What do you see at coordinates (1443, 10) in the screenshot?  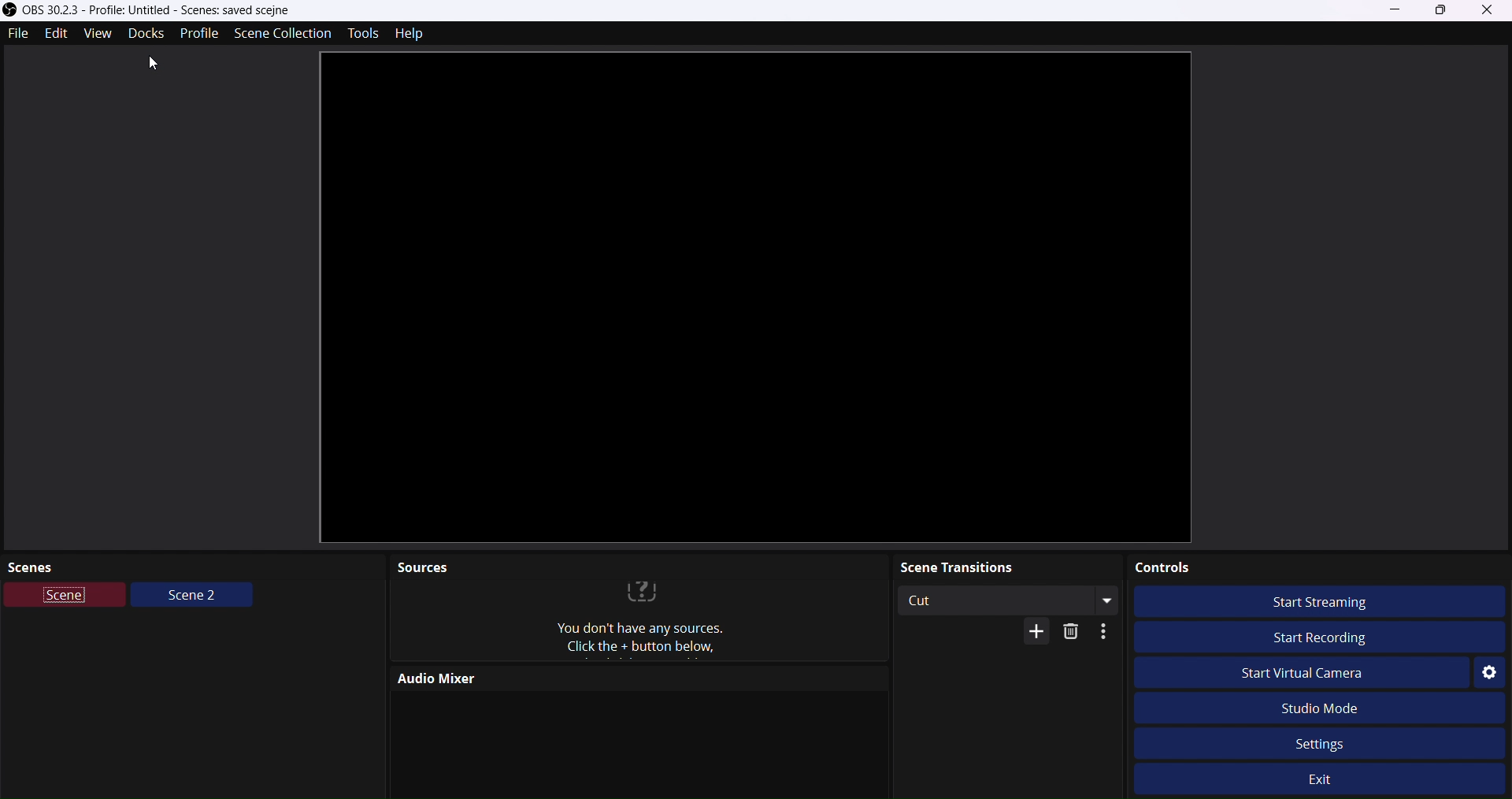 I see `Box` at bounding box center [1443, 10].